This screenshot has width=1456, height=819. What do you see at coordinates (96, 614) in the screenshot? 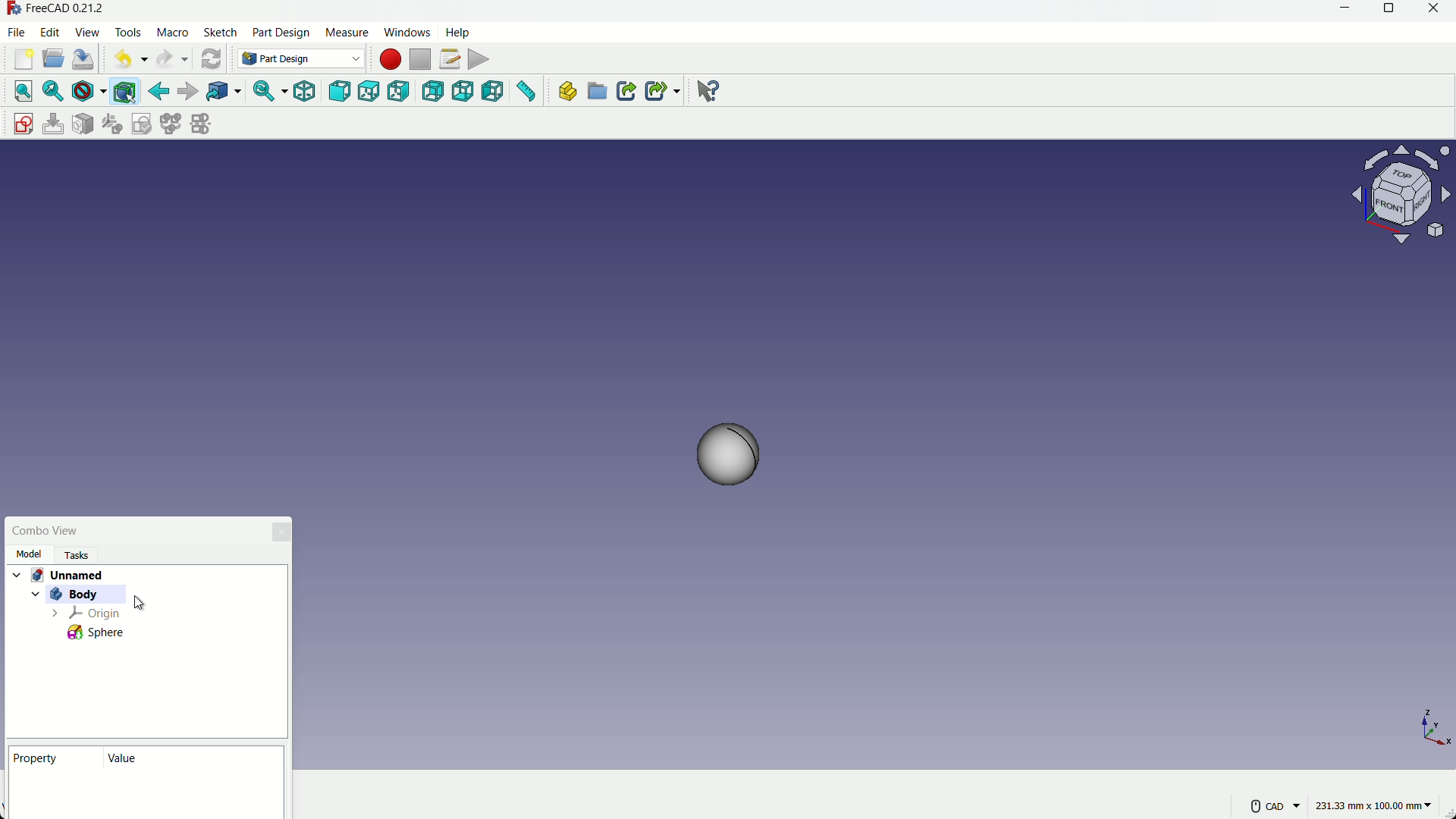
I see `Origin` at bounding box center [96, 614].